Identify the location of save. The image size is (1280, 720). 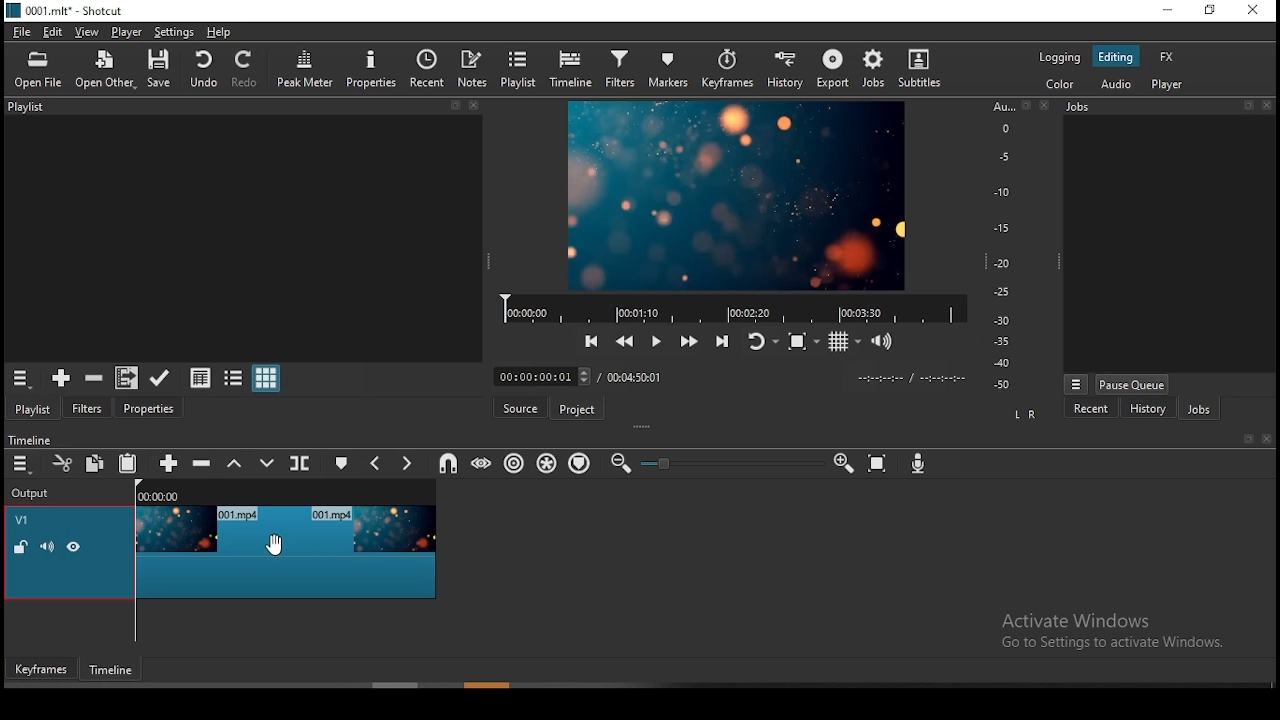
(165, 72).